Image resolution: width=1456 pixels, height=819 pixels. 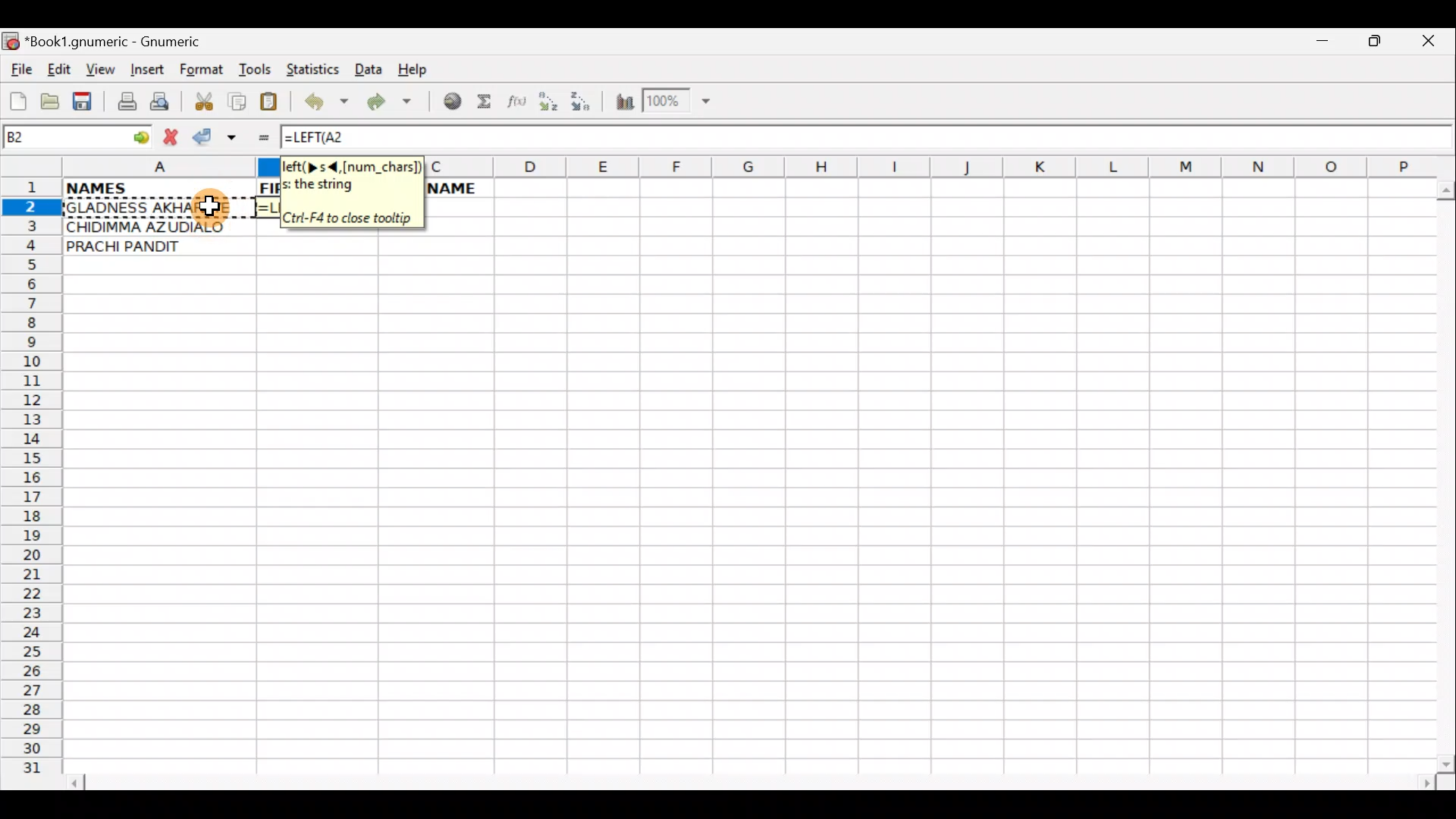 I want to click on Formula bar, so click(x=921, y=137).